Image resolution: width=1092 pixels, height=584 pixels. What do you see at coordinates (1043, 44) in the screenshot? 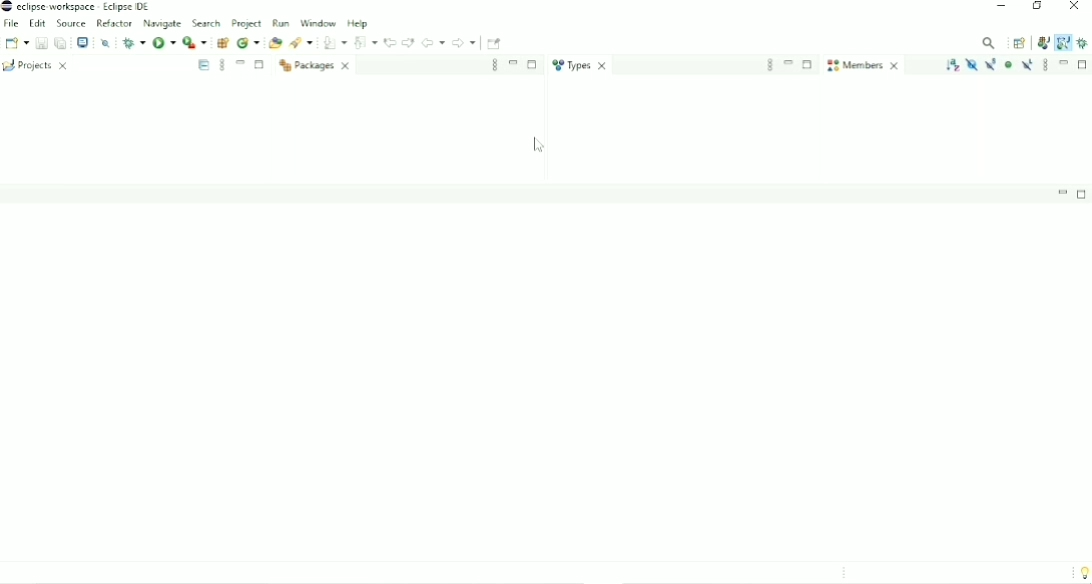
I see `Jav` at bounding box center [1043, 44].